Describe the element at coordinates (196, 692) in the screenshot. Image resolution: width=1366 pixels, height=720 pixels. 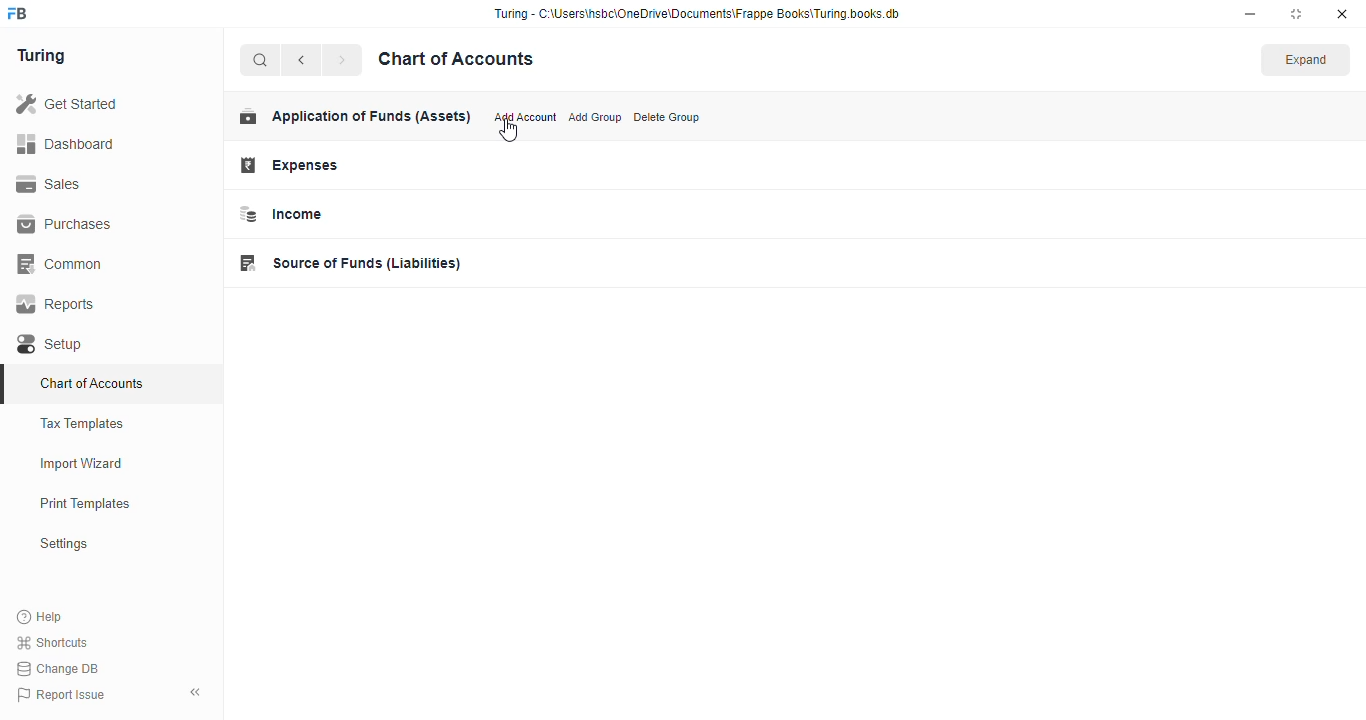
I see `toggle sidebar` at that location.